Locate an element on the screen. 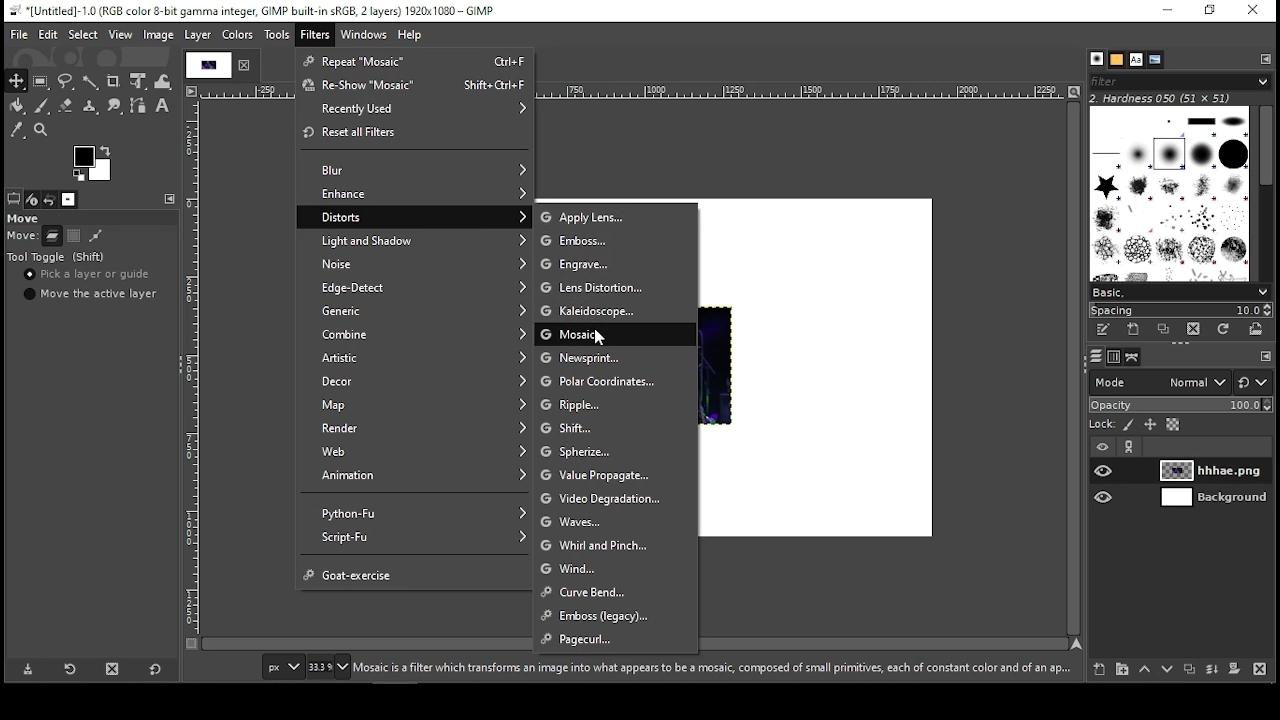  layer is located at coordinates (198, 34).